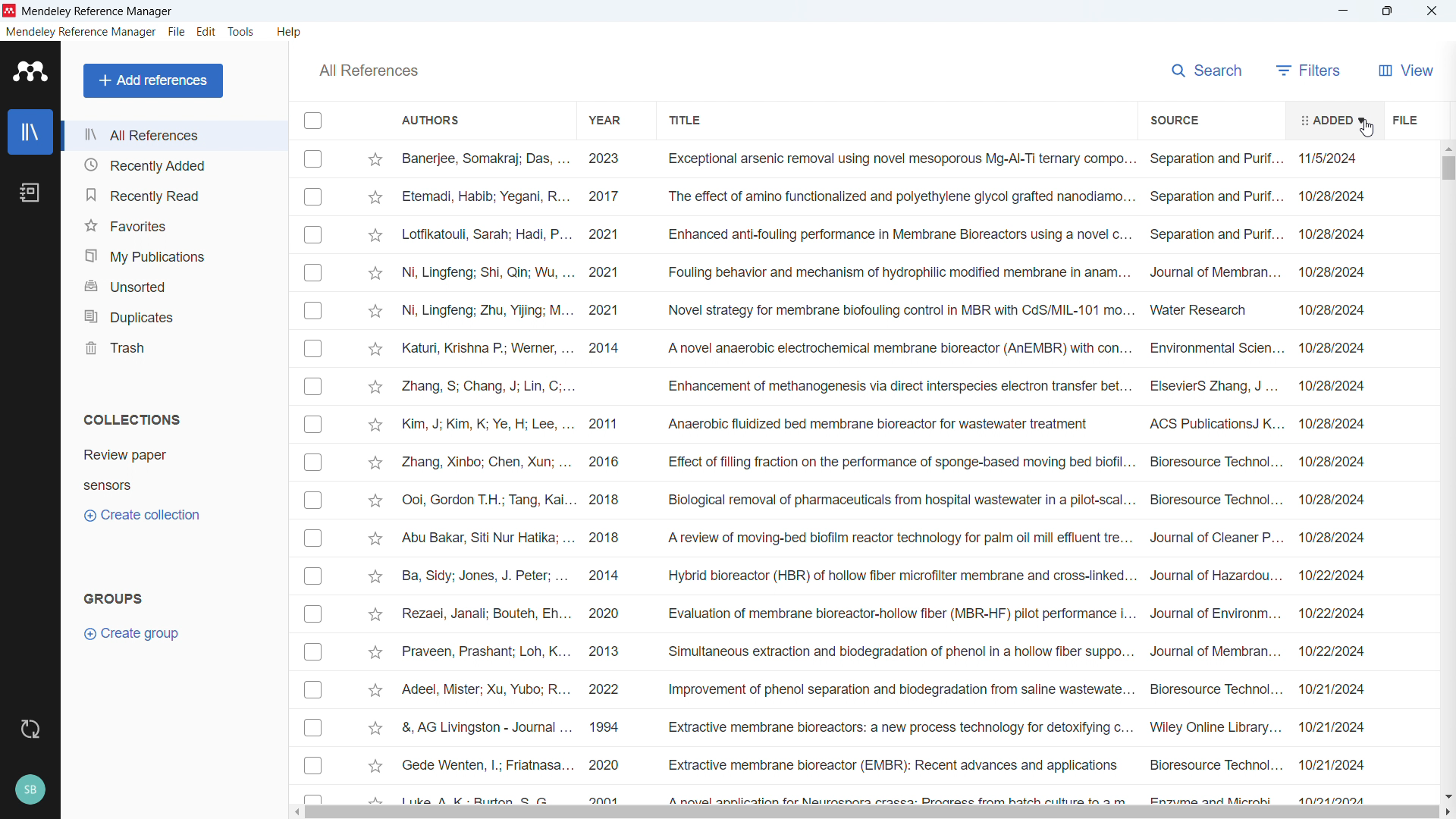  What do you see at coordinates (99, 12) in the screenshot?
I see `title` at bounding box center [99, 12].